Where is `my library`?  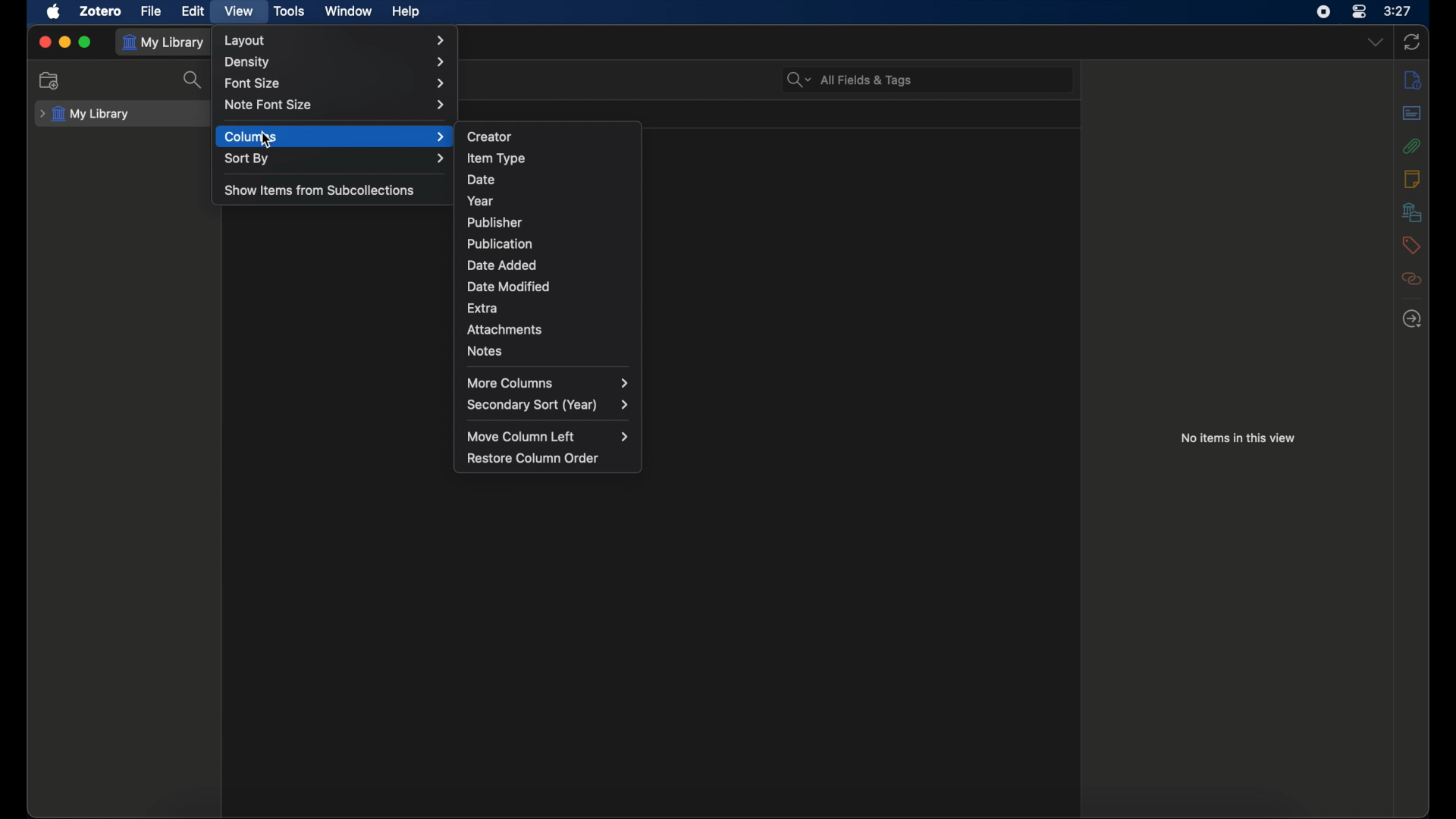
my library is located at coordinates (86, 115).